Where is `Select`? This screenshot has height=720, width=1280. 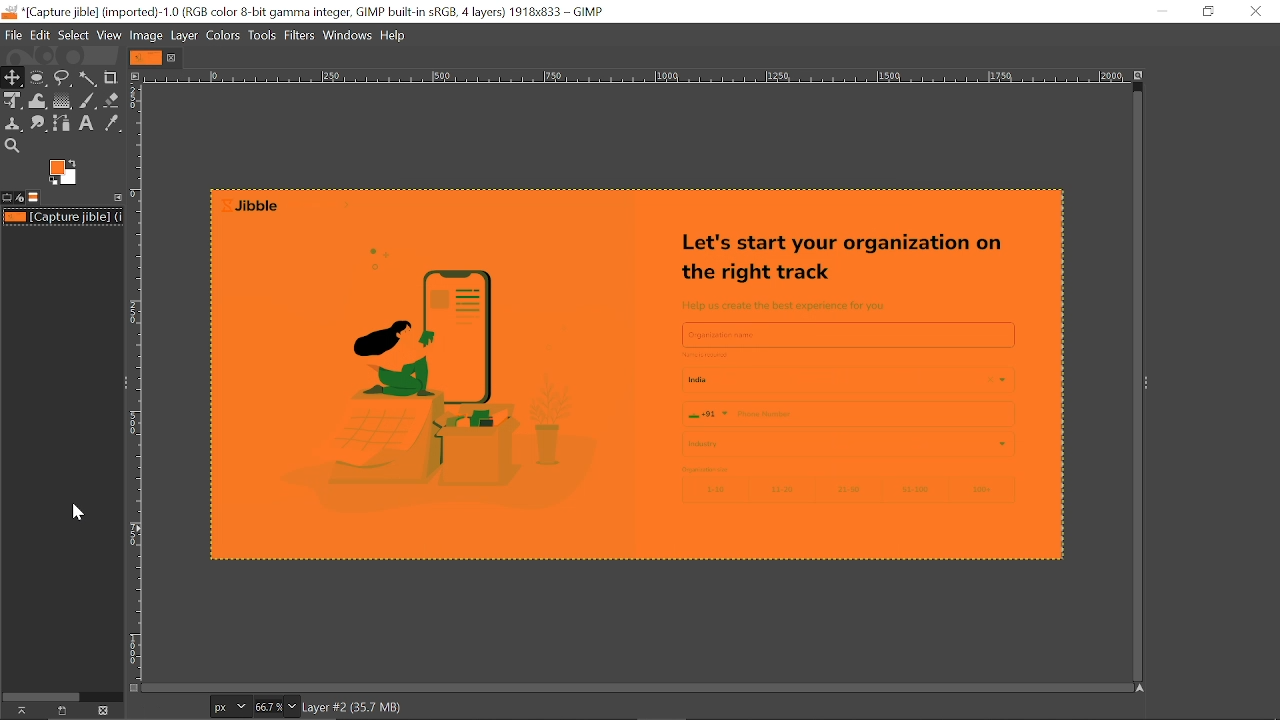
Select is located at coordinates (75, 35).